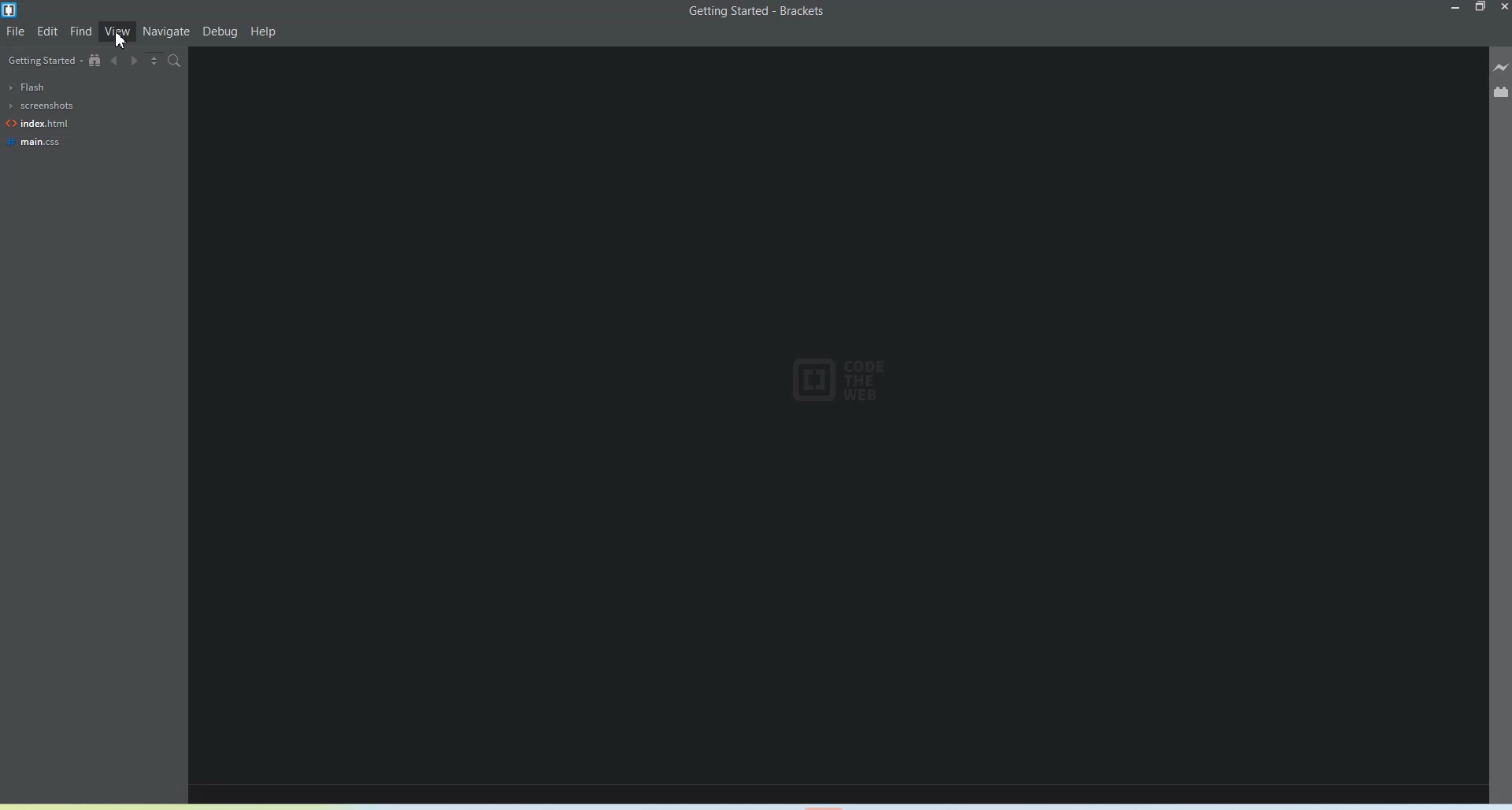 This screenshot has width=1512, height=810. Describe the element at coordinates (28, 87) in the screenshot. I see `Flash` at that location.